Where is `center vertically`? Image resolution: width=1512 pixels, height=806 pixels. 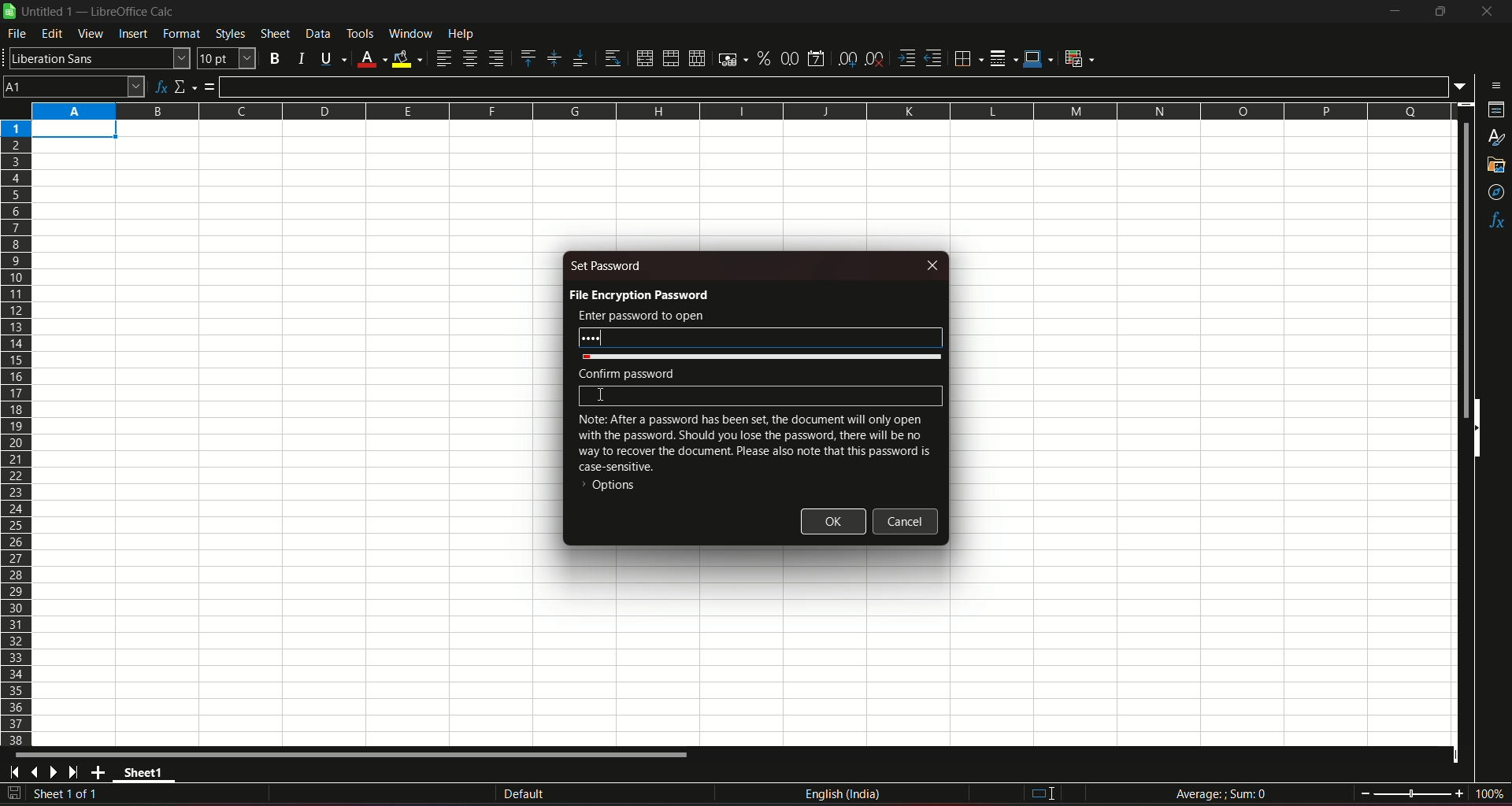 center vertically is located at coordinates (553, 58).